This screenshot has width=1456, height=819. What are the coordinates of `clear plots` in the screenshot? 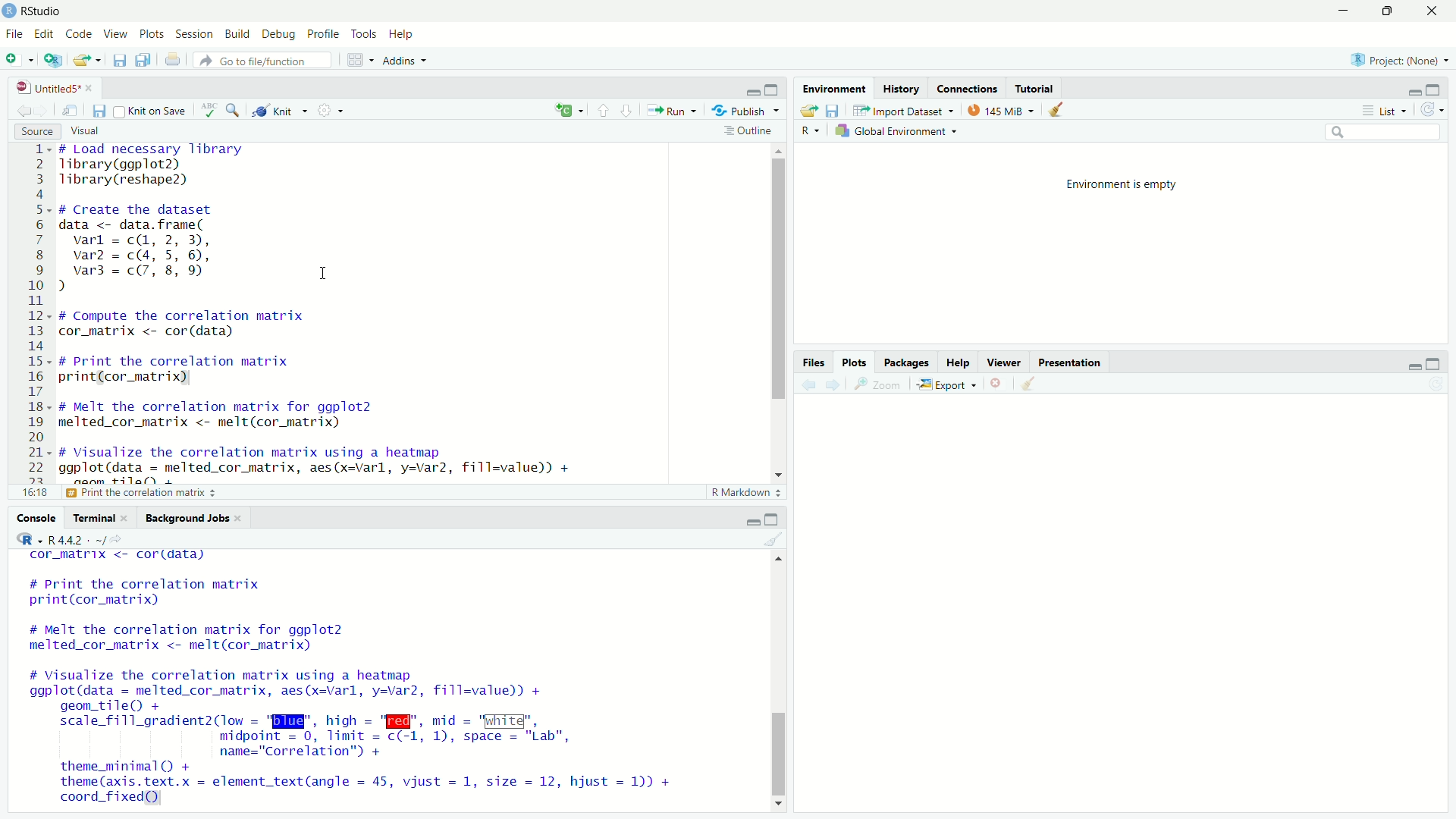 It's located at (1031, 383).